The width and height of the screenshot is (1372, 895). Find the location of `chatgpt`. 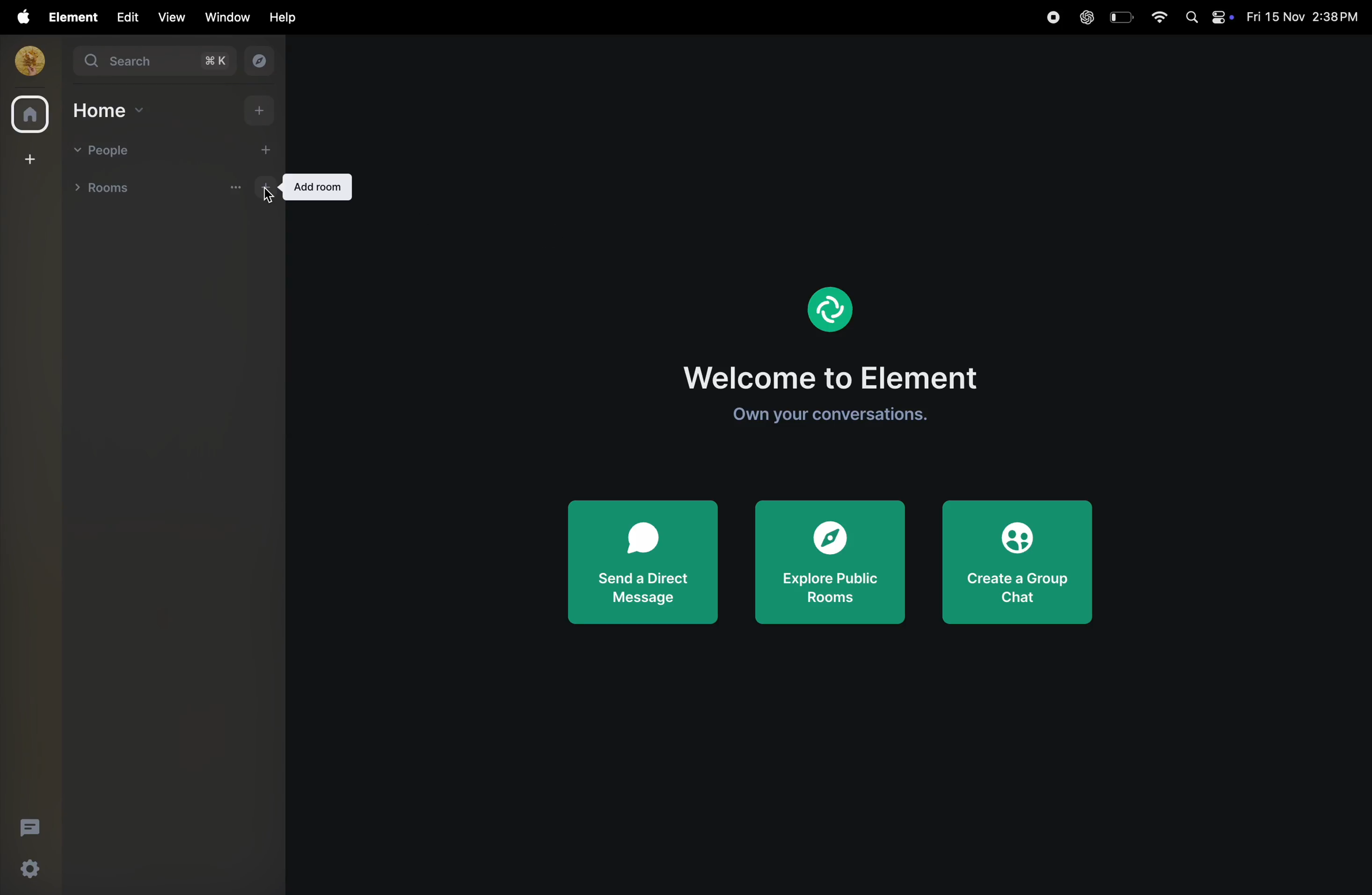

chatgpt is located at coordinates (1086, 18).